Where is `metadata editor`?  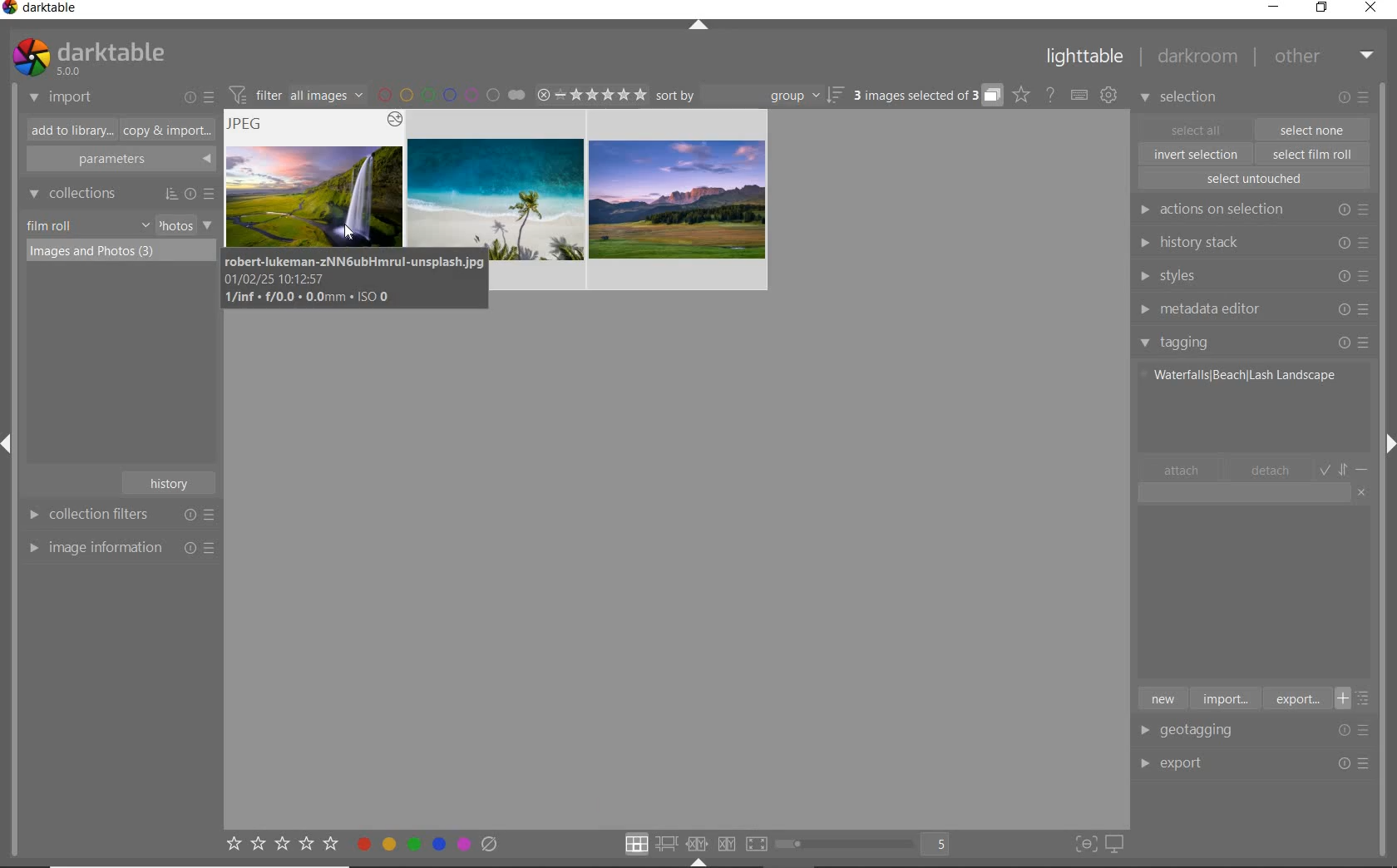 metadata editor is located at coordinates (1251, 309).